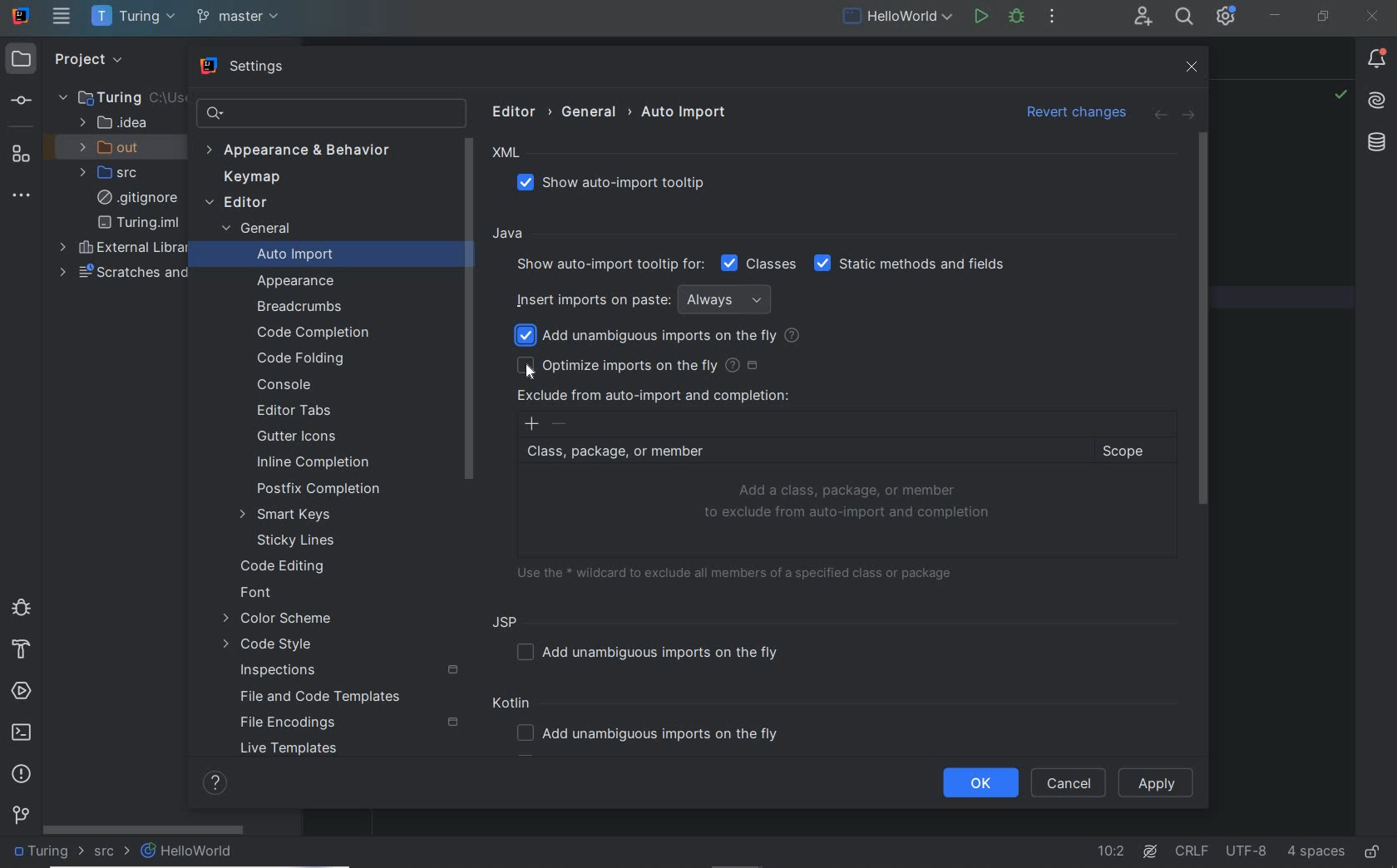 This screenshot has height=868, width=1397. What do you see at coordinates (1071, 110) in the screenshot?
I see `Revert changes` at bounding box center [1071, 110].